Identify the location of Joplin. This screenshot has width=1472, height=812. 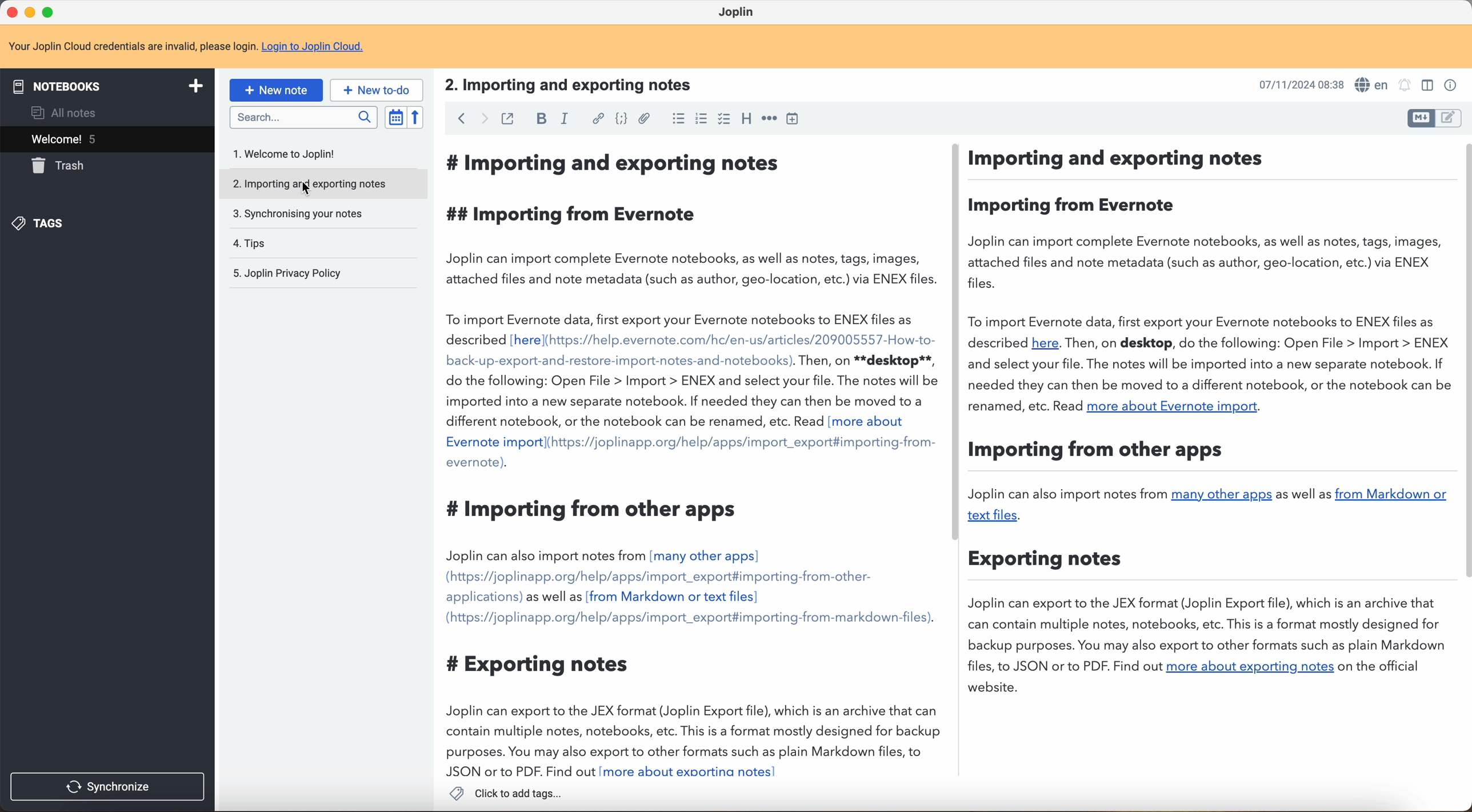
(739, 13).